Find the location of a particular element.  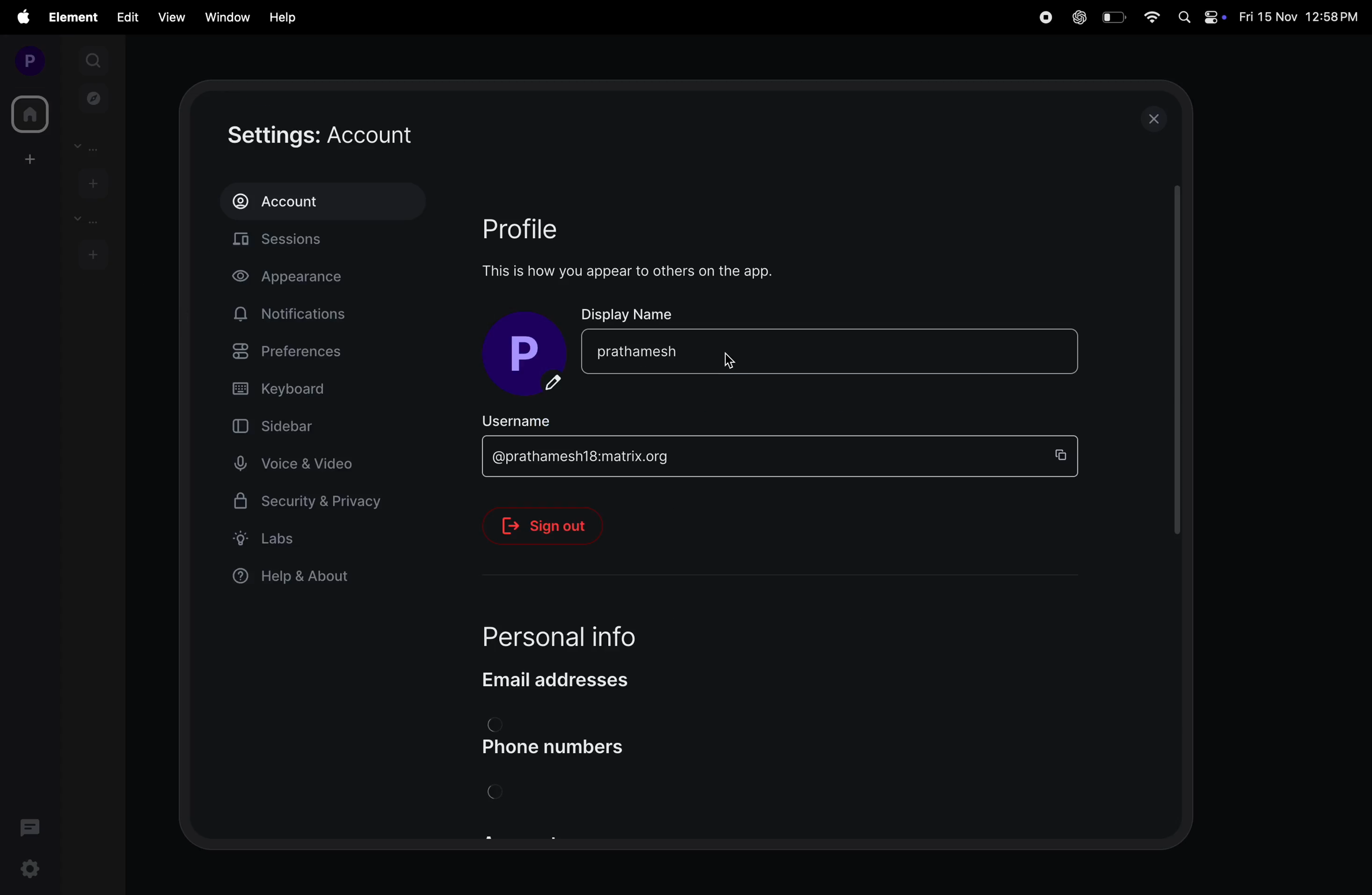

expand is located at coordinates (61, 61).